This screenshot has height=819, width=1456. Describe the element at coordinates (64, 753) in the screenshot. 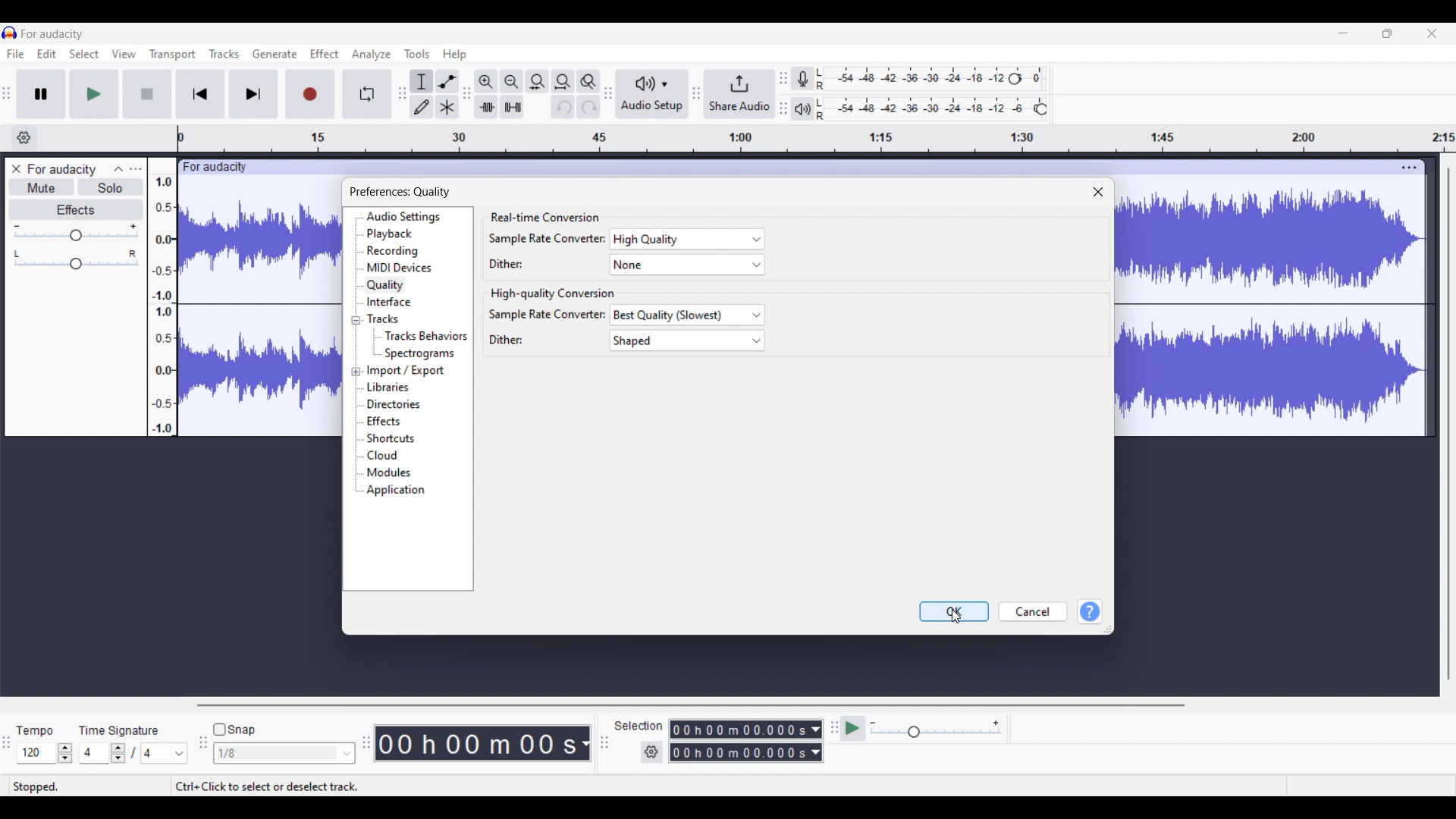

I see `Increase/Decrease Tempo` at that location.